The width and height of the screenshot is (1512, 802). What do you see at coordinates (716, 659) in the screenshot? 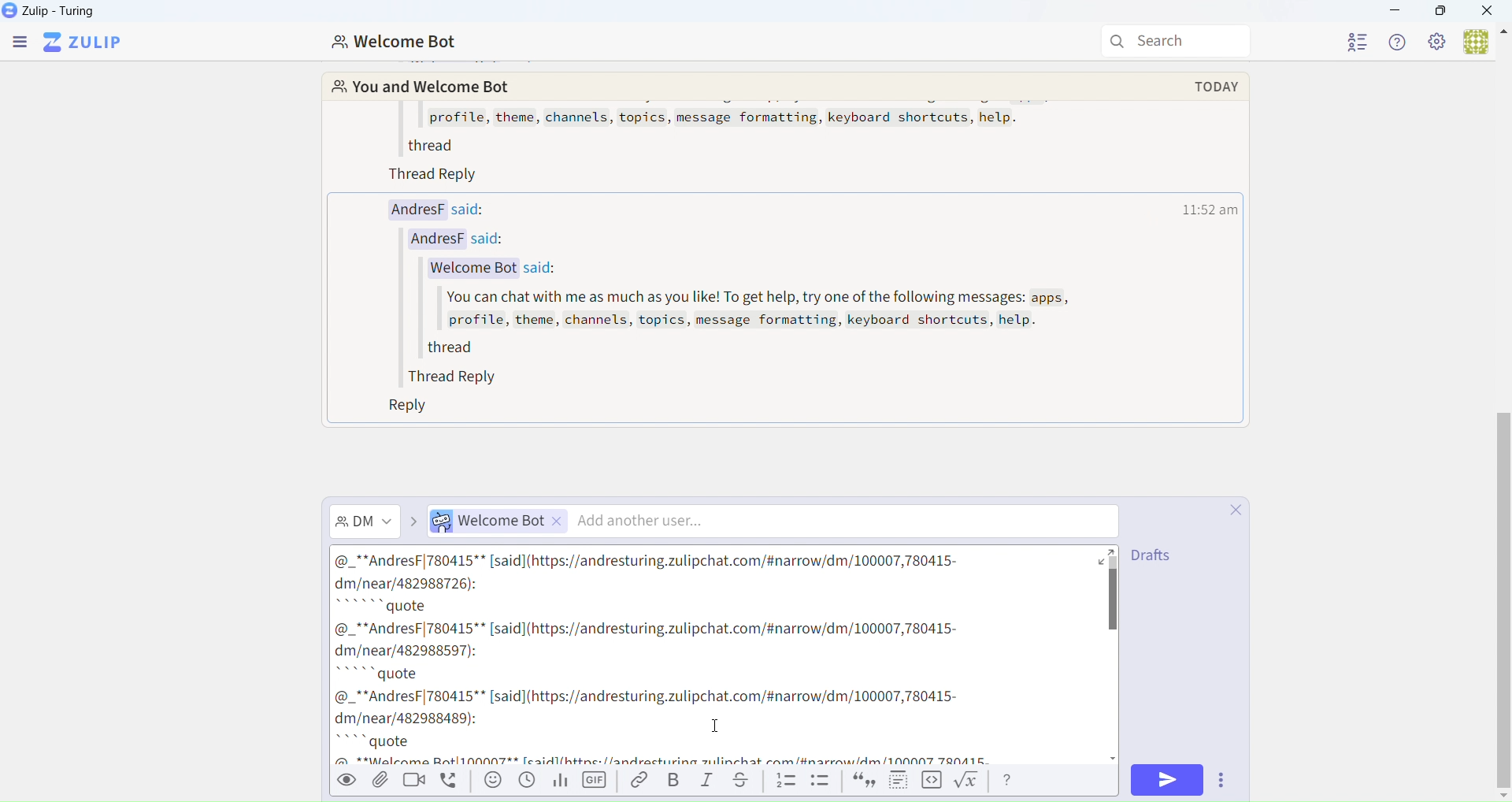
I see `thread` at bounding box center [716, 659].